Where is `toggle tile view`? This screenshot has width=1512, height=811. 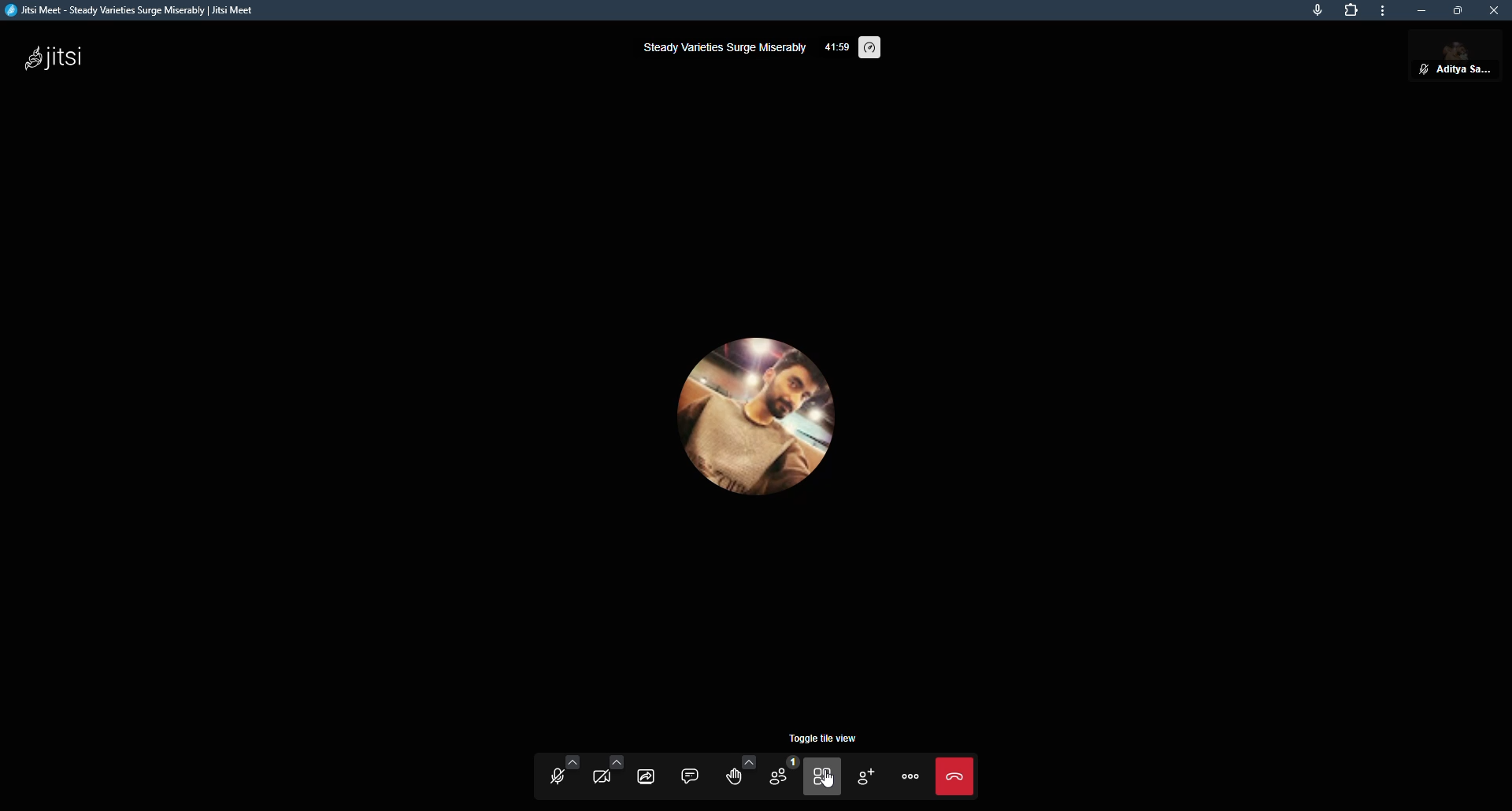
toggle tile view is located at coordinates (825, 739).